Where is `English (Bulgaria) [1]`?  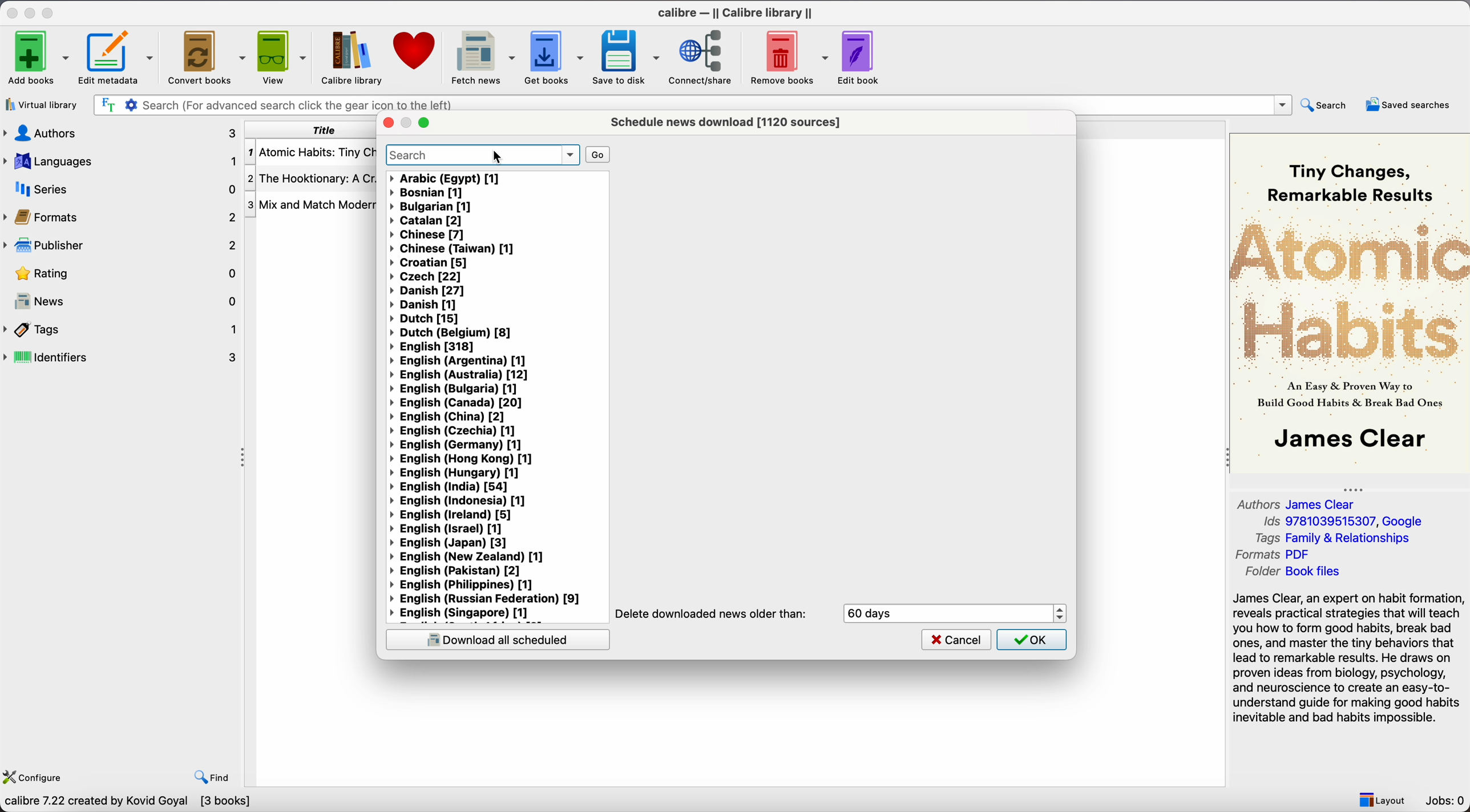
English (Bulgaria) [1] is located at coordinates (455, 388).